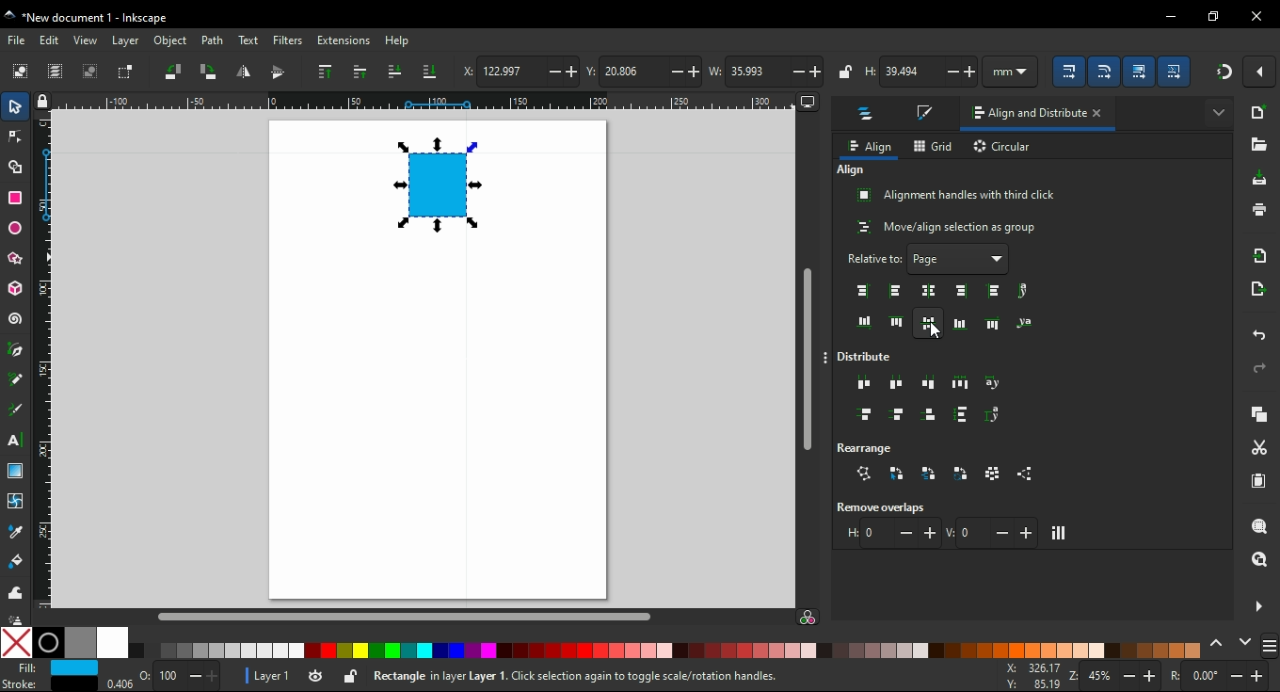  What do you see at coordinates (1260, 448) in the screenshot?
I see `cut` at bounding box center [1260, 448].